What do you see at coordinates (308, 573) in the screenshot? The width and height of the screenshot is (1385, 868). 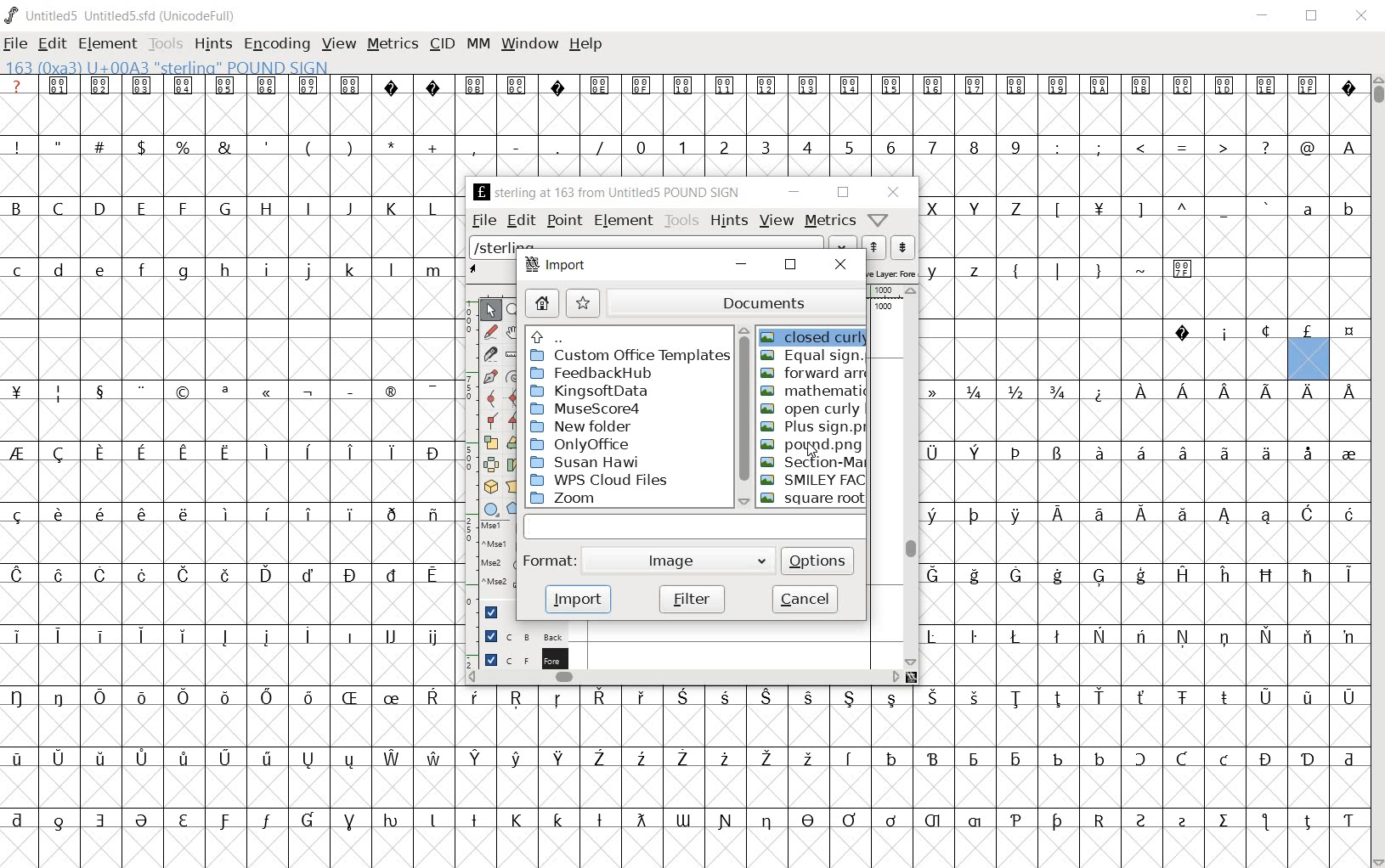 I see `Symbol` at bounding box center [308, 573].